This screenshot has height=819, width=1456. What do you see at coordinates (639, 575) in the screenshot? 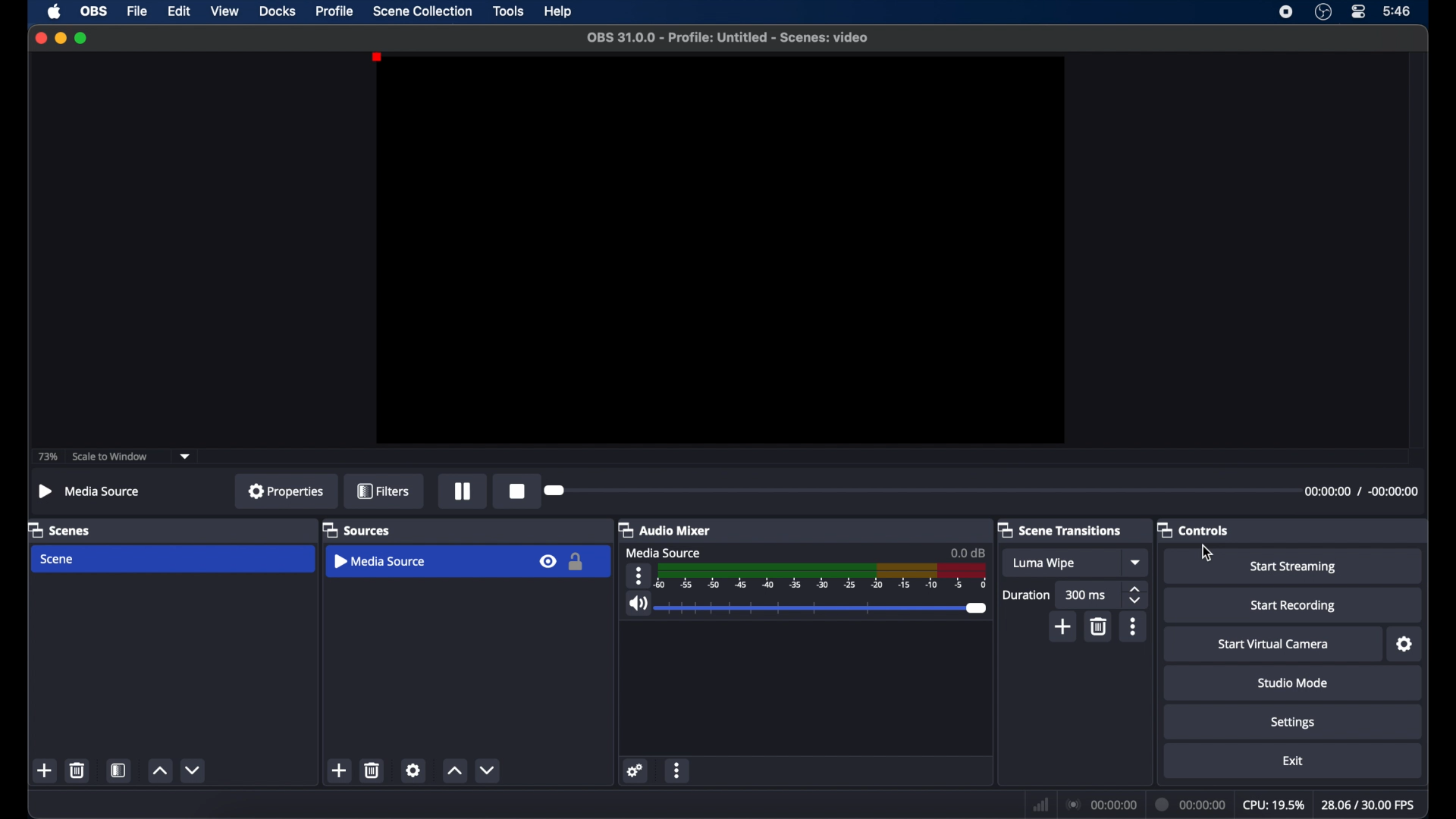
I see `more options` at bounding box center [639, 575].